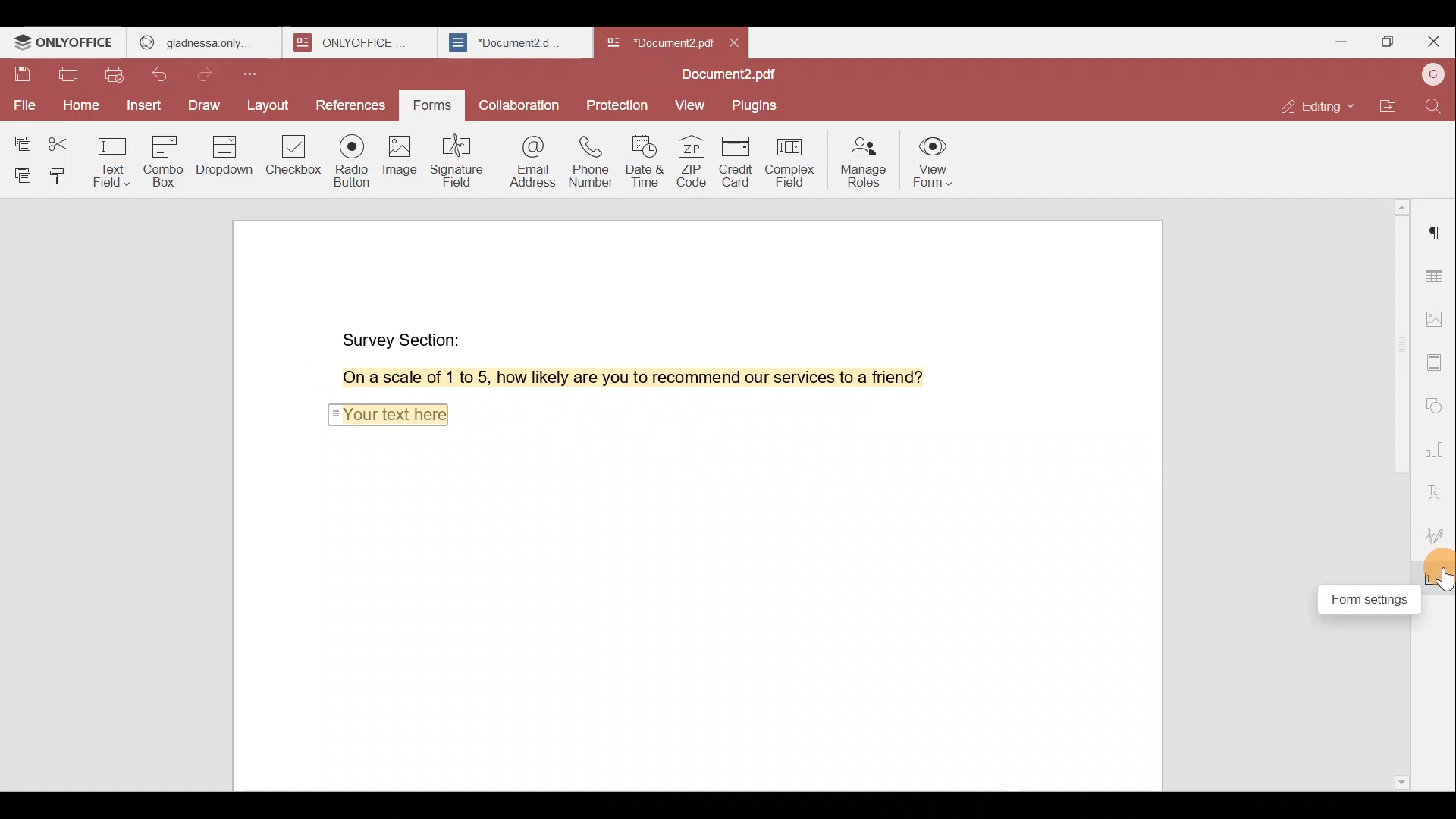  I want to click on Editing mode, so click(1320, 106).